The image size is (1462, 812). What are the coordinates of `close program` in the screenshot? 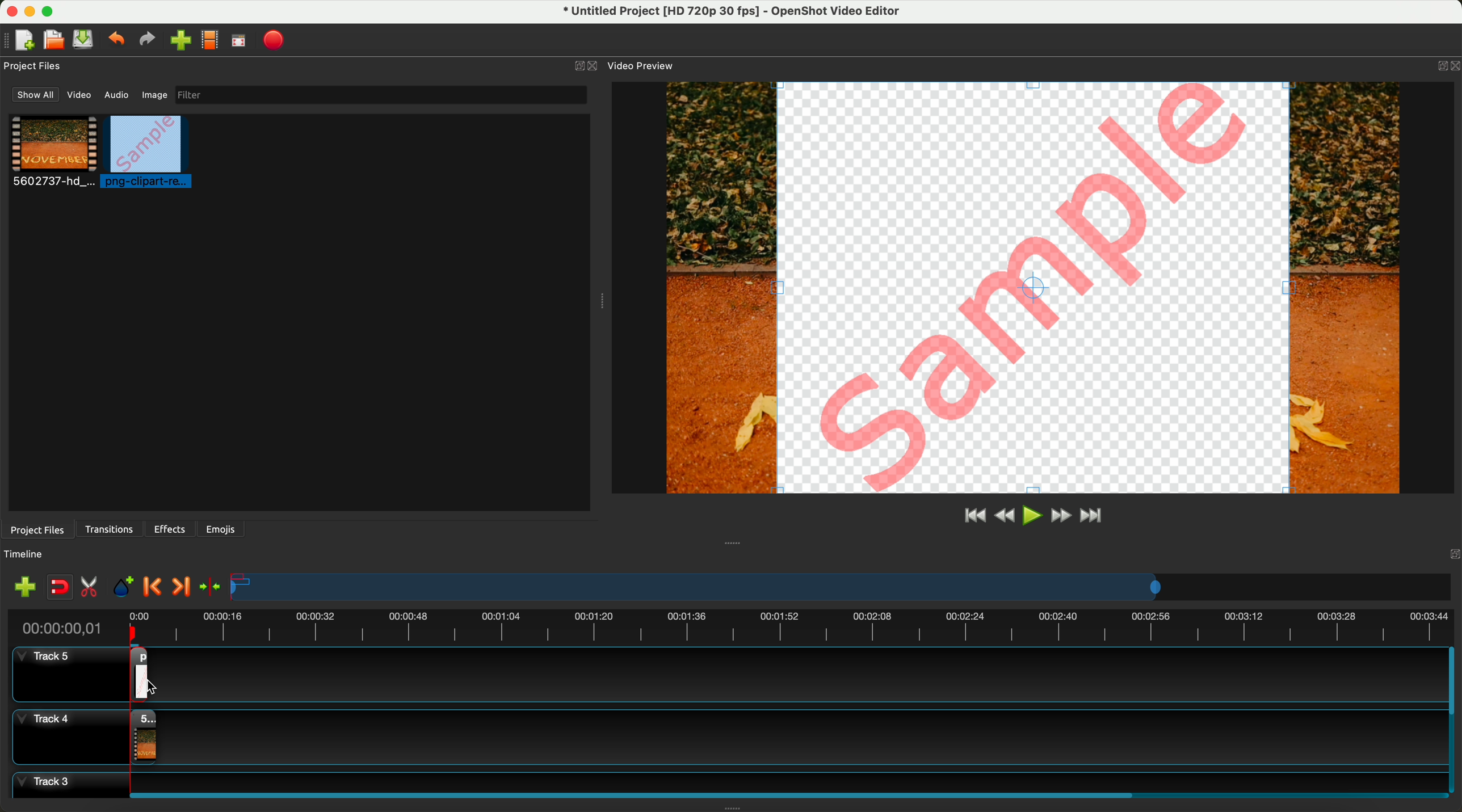 It's located at (9, 10).